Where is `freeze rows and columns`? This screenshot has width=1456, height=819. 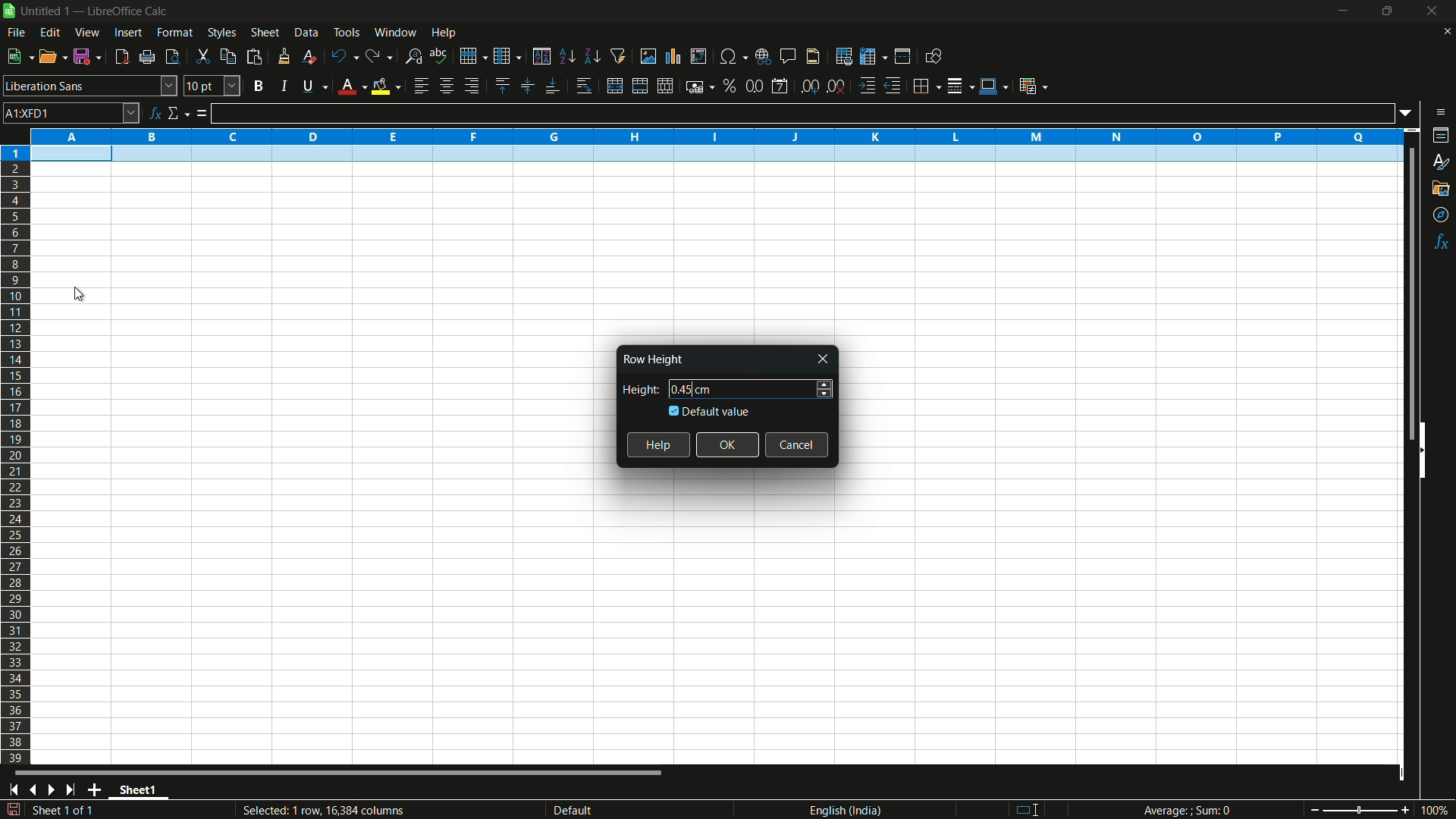 freeze rows and columns is located at coordinates (872, 57).